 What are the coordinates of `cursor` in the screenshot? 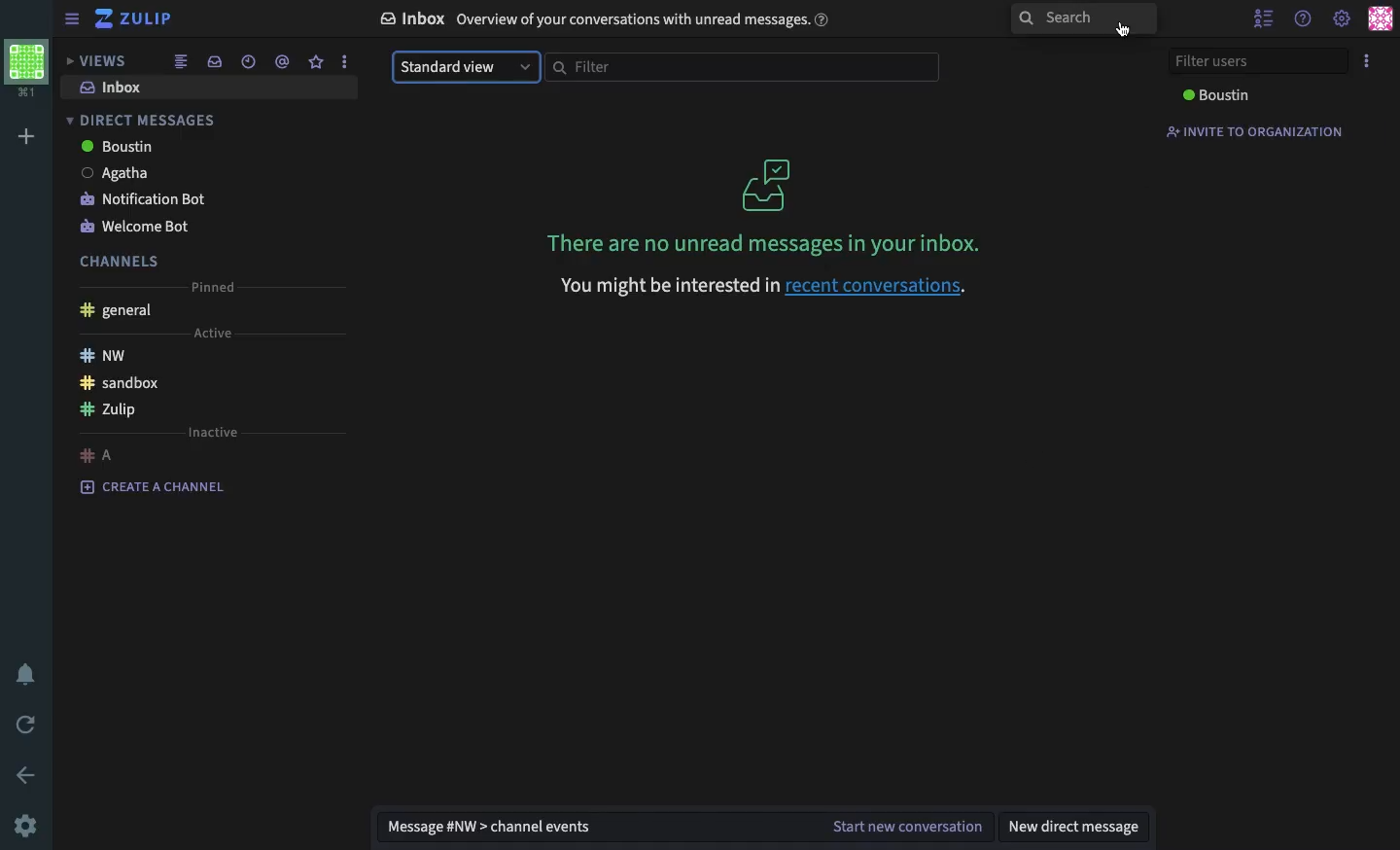 It's located at (1124, 33).